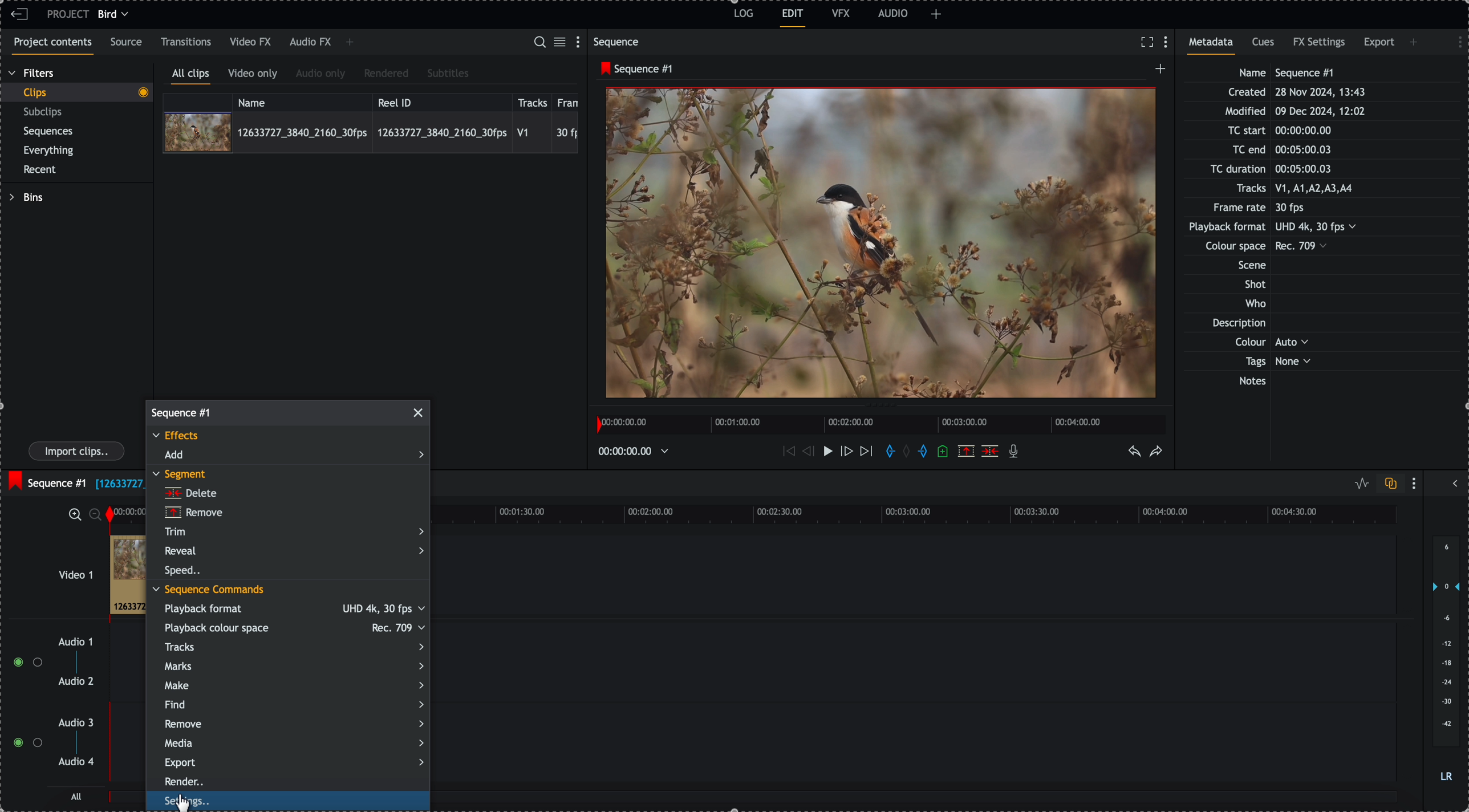 Image resolution: width=1469 pixels, height=812 pixels. What do you see at coordinates (1417, 483) in the screenshot?
I see `show settings menu` at bounding box center [1417, 483].